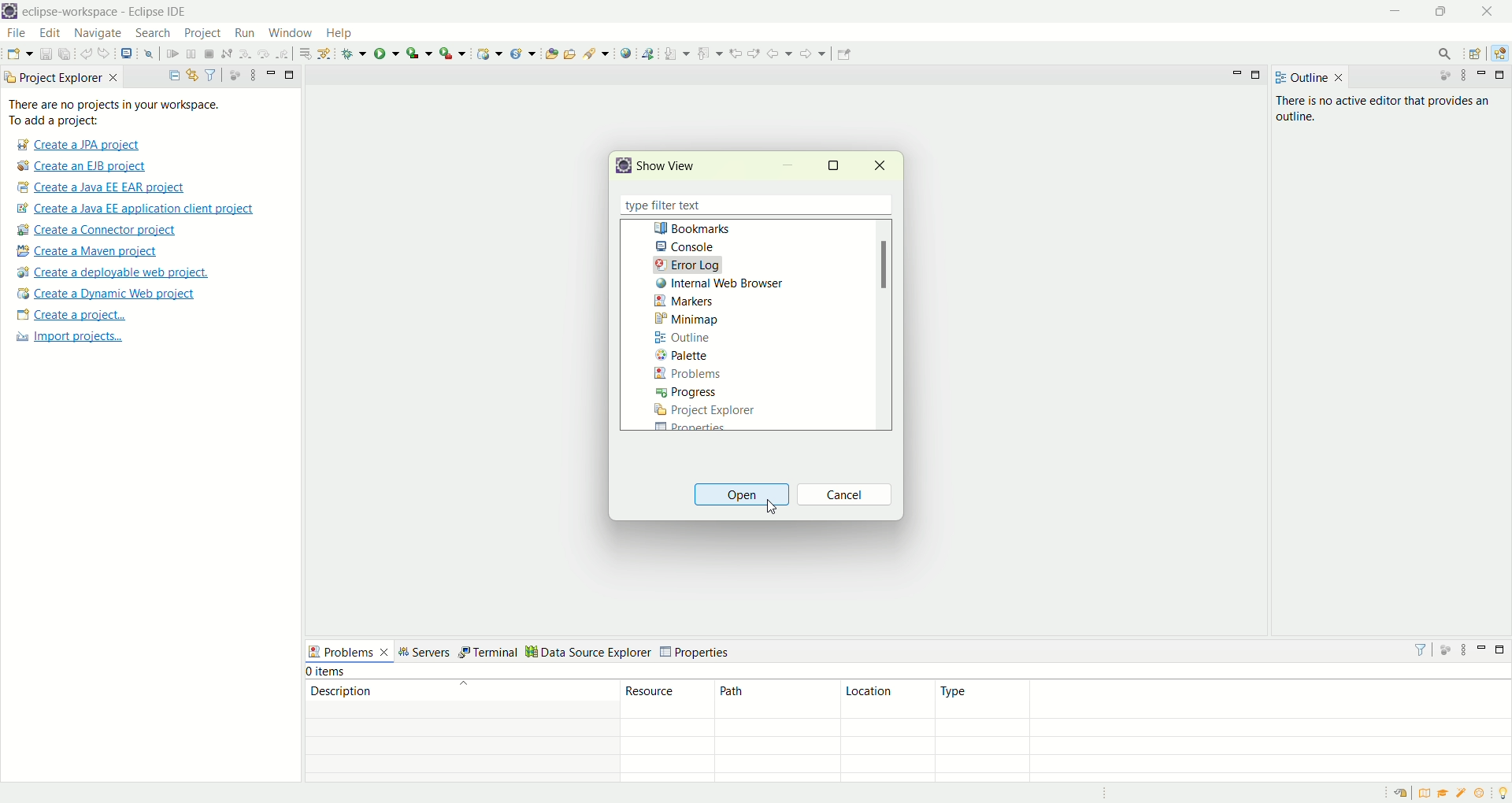  Describe the element at coordinates (777, 698) in the screenshot. I see `path` at that location.